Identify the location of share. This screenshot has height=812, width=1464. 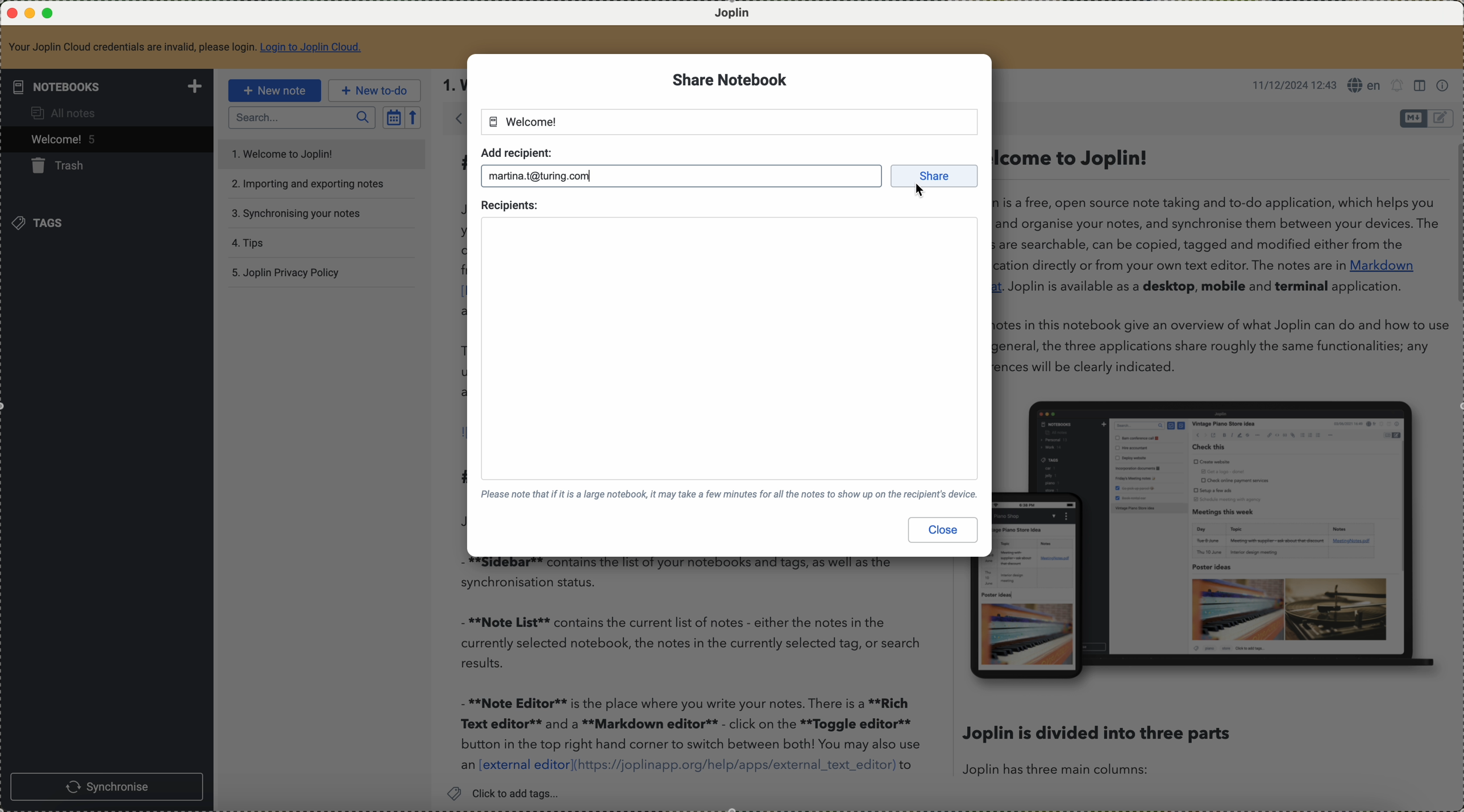
(937, 176).